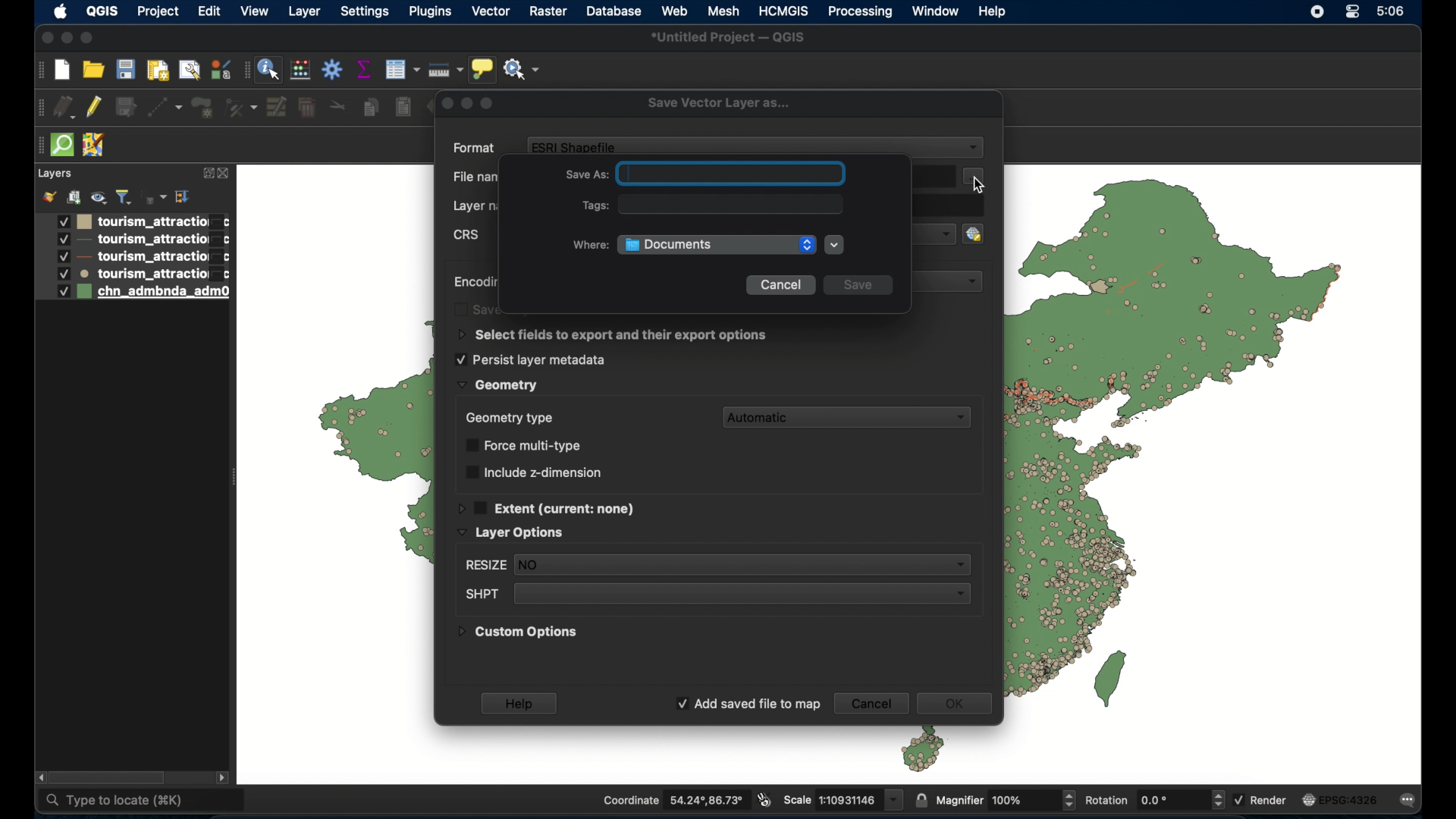 The width and height of the screenshot is (1456, 819). I want to click on geometry , so click(497, 385).